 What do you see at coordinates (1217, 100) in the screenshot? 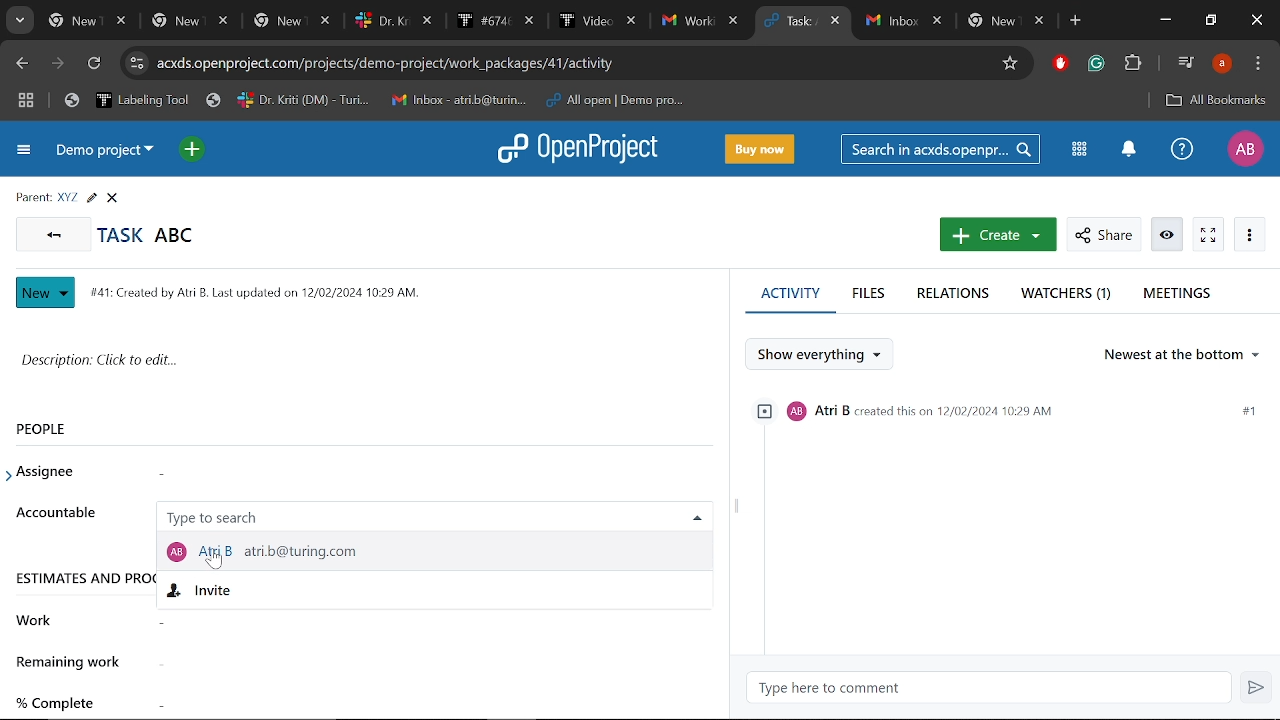
I see `All bookmarks` at bounding box center [1217, 100].